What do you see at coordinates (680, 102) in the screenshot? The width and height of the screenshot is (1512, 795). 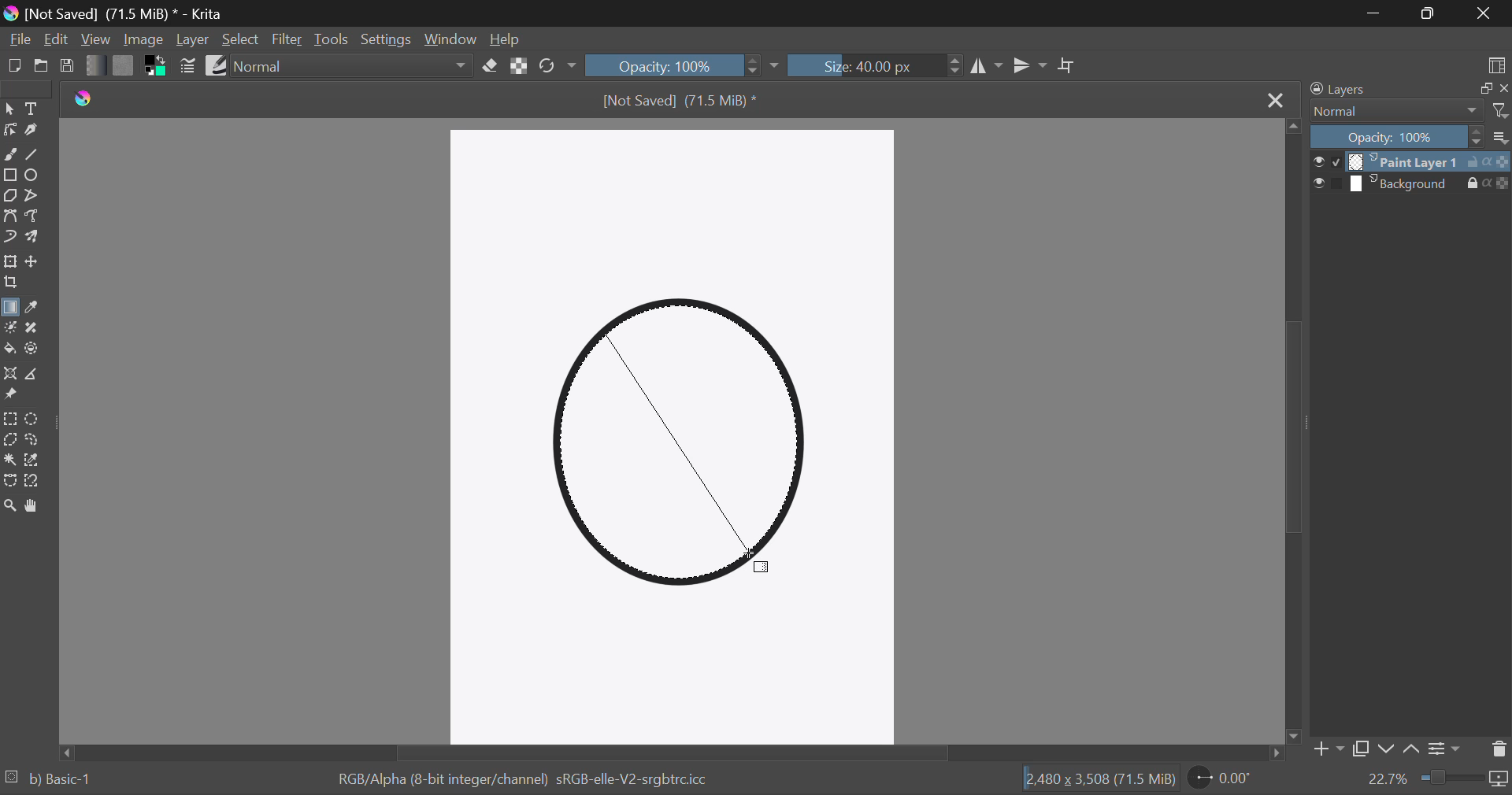 I see `[Not Saved] (71.5 MiB) *` at bounding box center [680, 102].